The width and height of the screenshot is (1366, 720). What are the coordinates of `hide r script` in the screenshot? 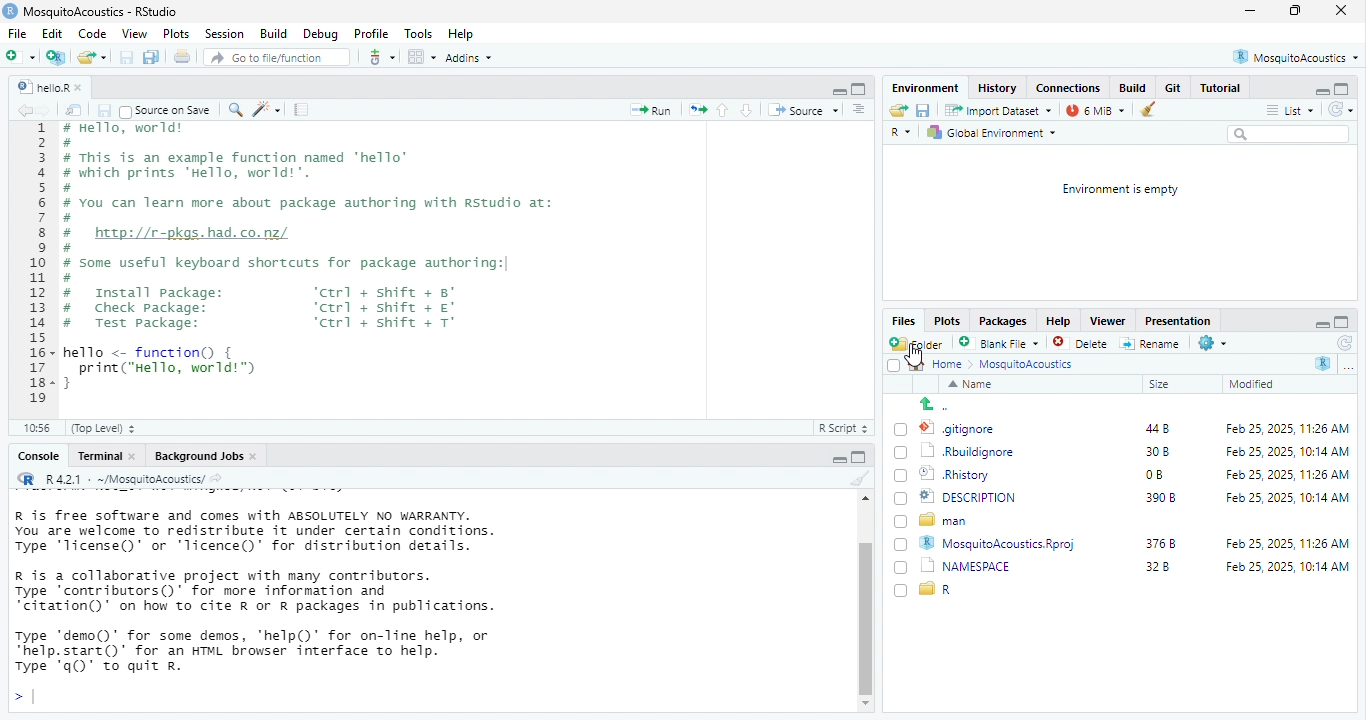 It's located at (835, 88).